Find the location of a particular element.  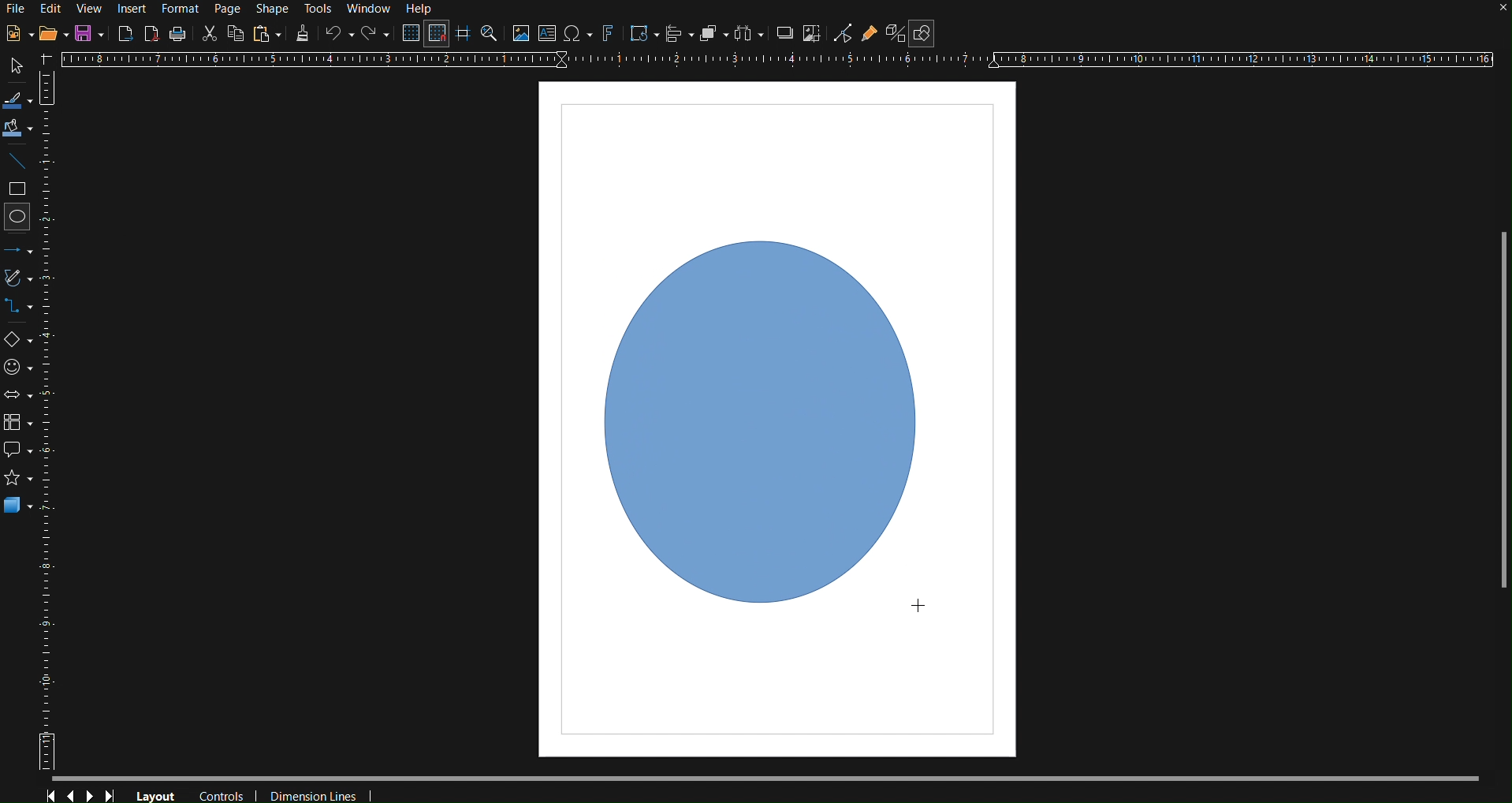

Insert Line is located at coordinates (20, 164).